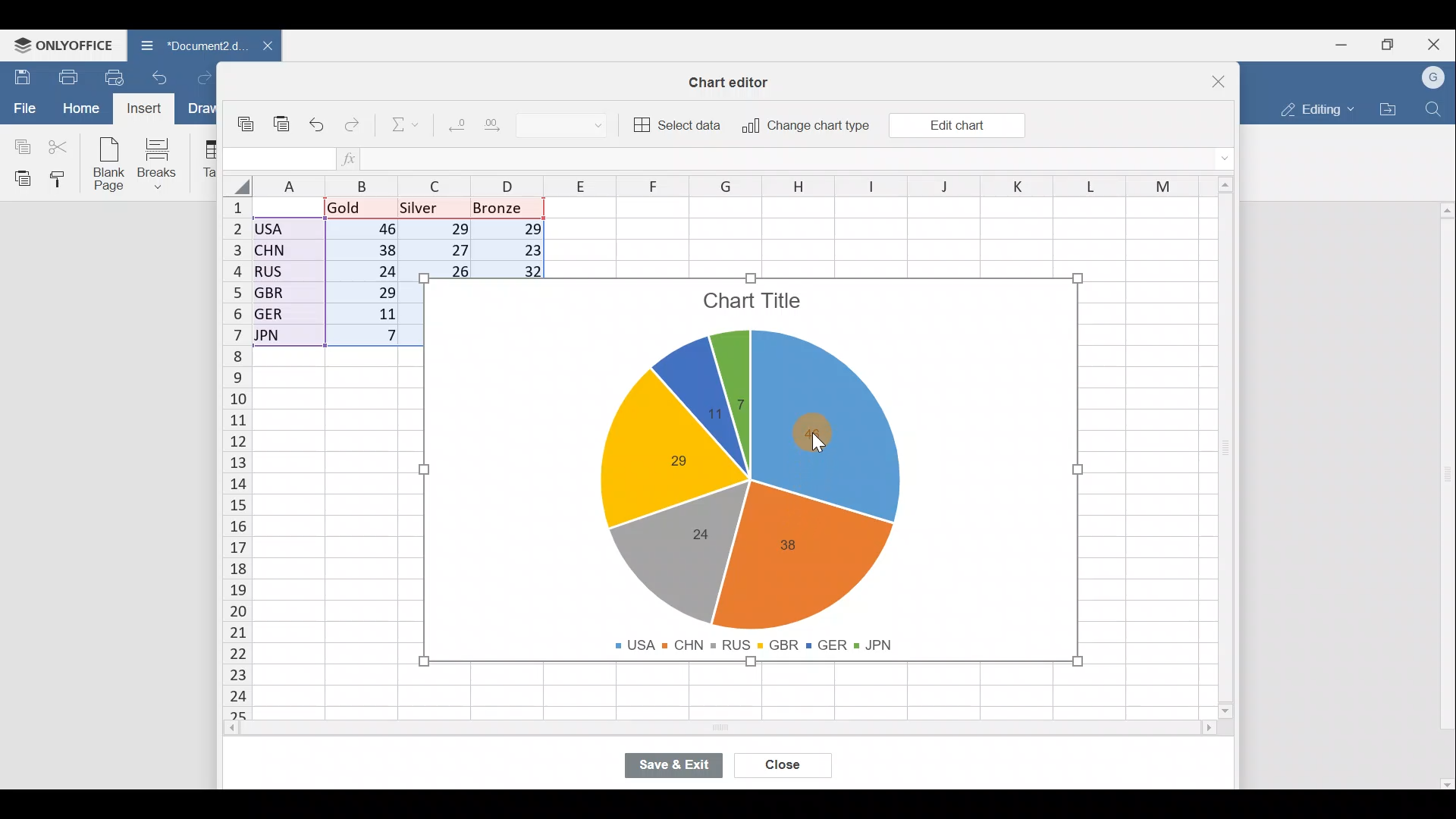 Image resolution: width=1456 pixels, height=819 pixels. I want to click on Copy, so click(19, 144).